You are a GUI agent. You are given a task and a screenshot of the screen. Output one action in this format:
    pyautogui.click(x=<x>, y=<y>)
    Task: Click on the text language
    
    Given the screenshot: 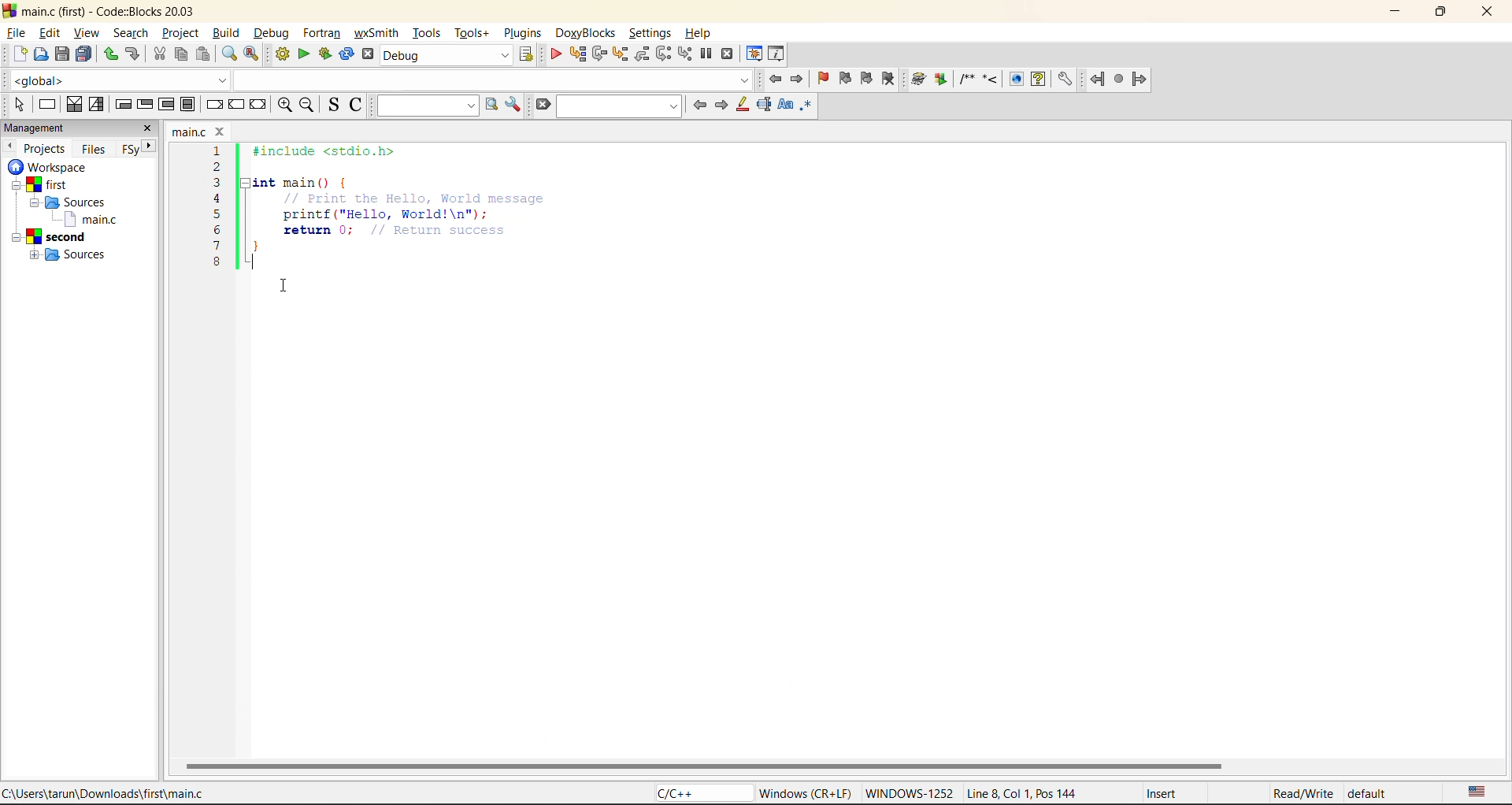 What is the action you would take?
    pyautogui.click(x=1479, y=792)
    